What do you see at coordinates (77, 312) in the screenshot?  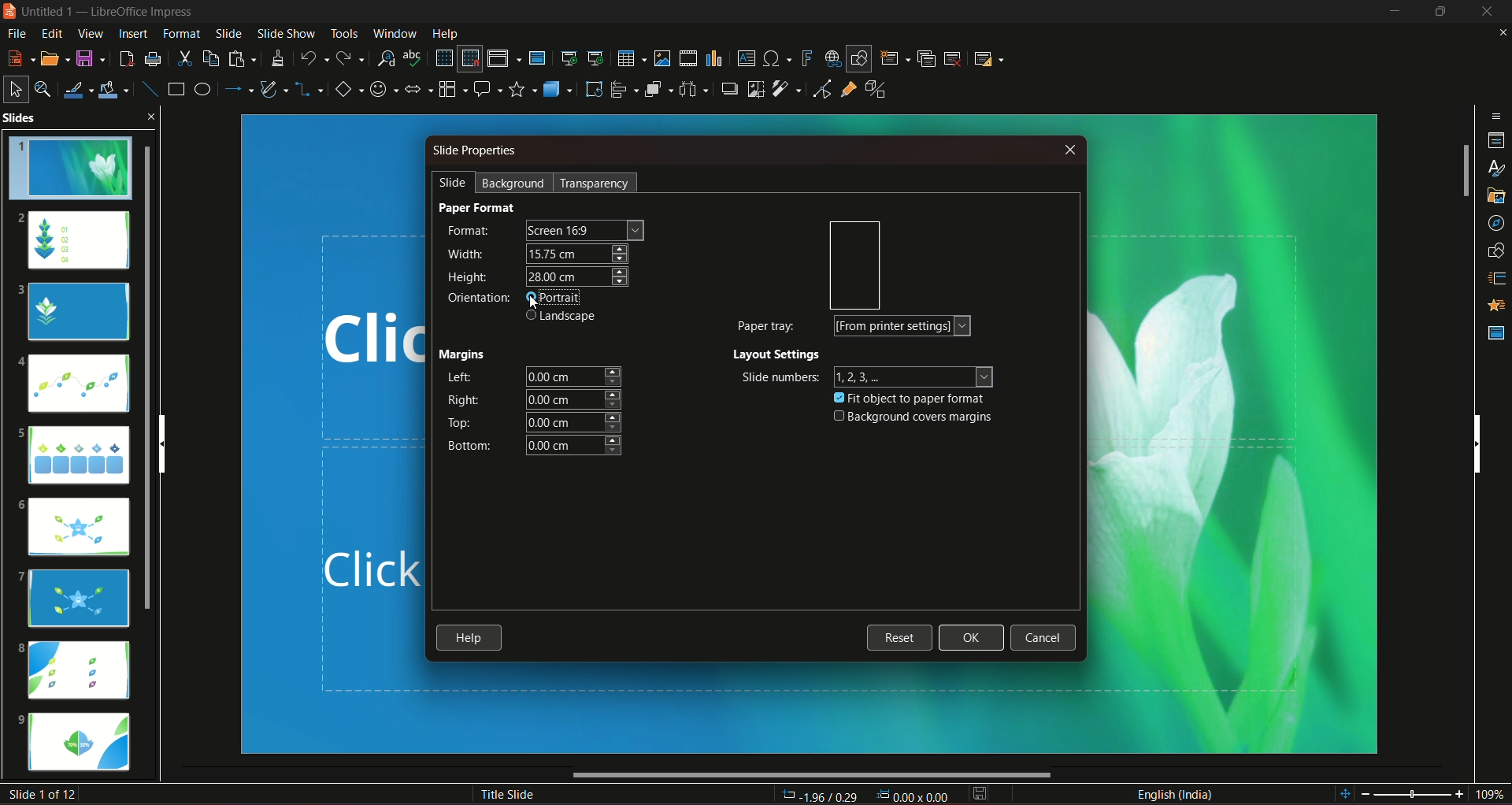 I see `slide 3` at bounding box center [77, 312].